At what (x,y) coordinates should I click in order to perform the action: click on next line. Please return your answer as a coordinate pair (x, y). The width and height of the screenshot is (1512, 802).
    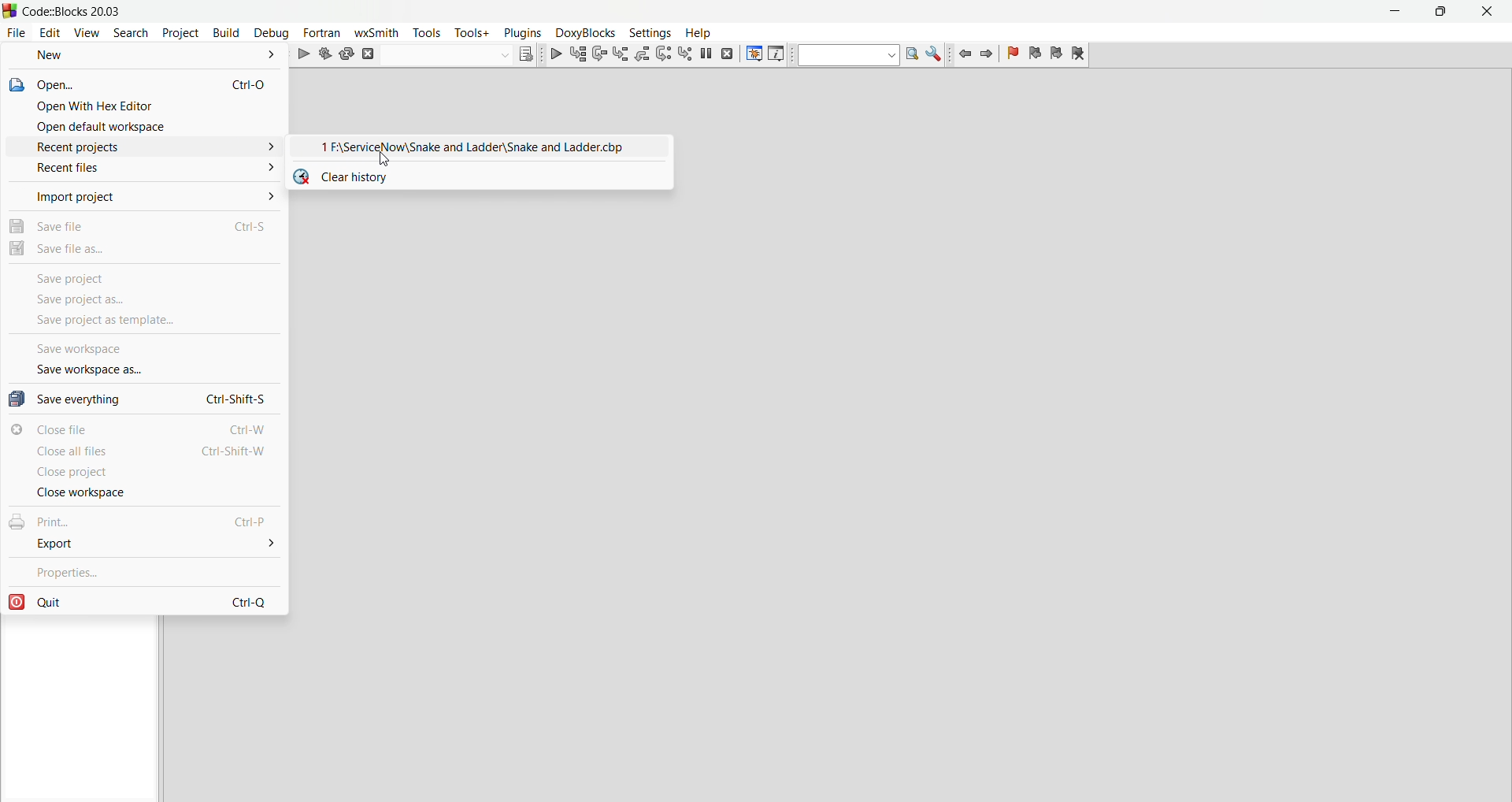
    Looking at the image, I should click on (600, 55).